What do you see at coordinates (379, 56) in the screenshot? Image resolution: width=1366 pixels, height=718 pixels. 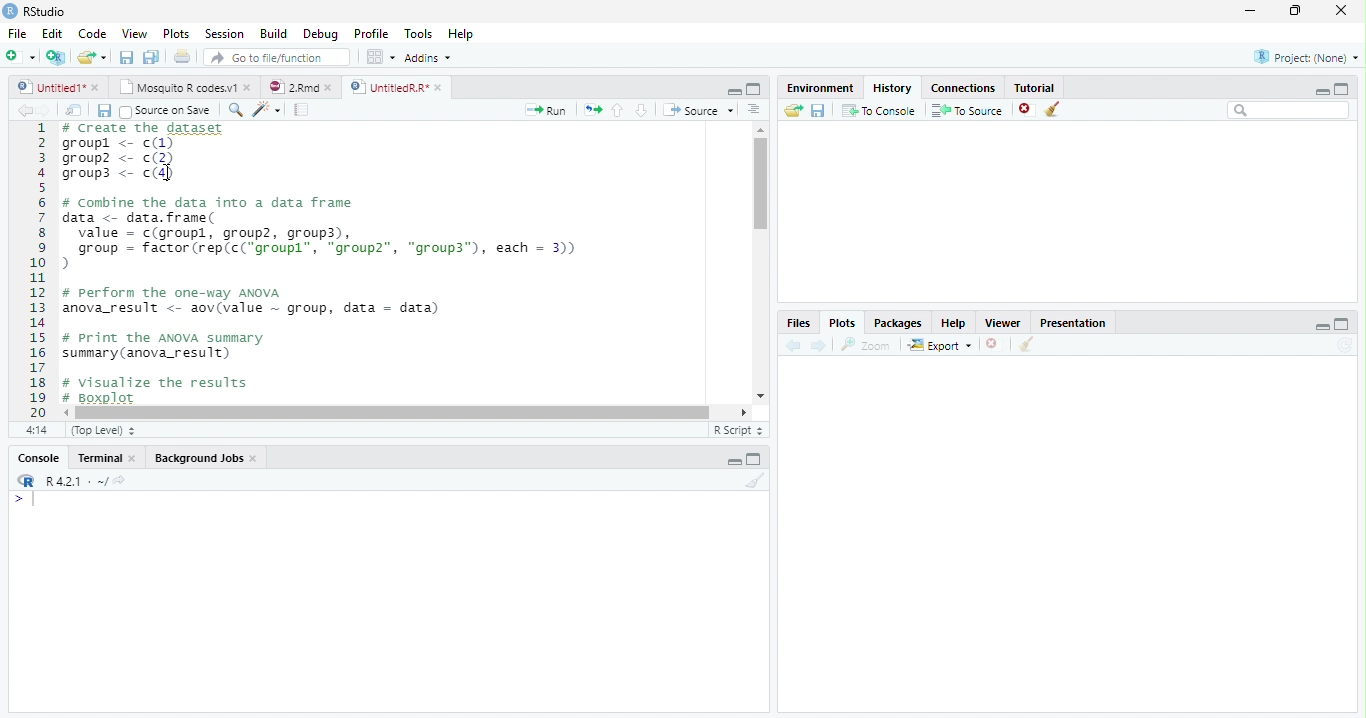 I see `Workspace pane` at bounding box center [379, 56].